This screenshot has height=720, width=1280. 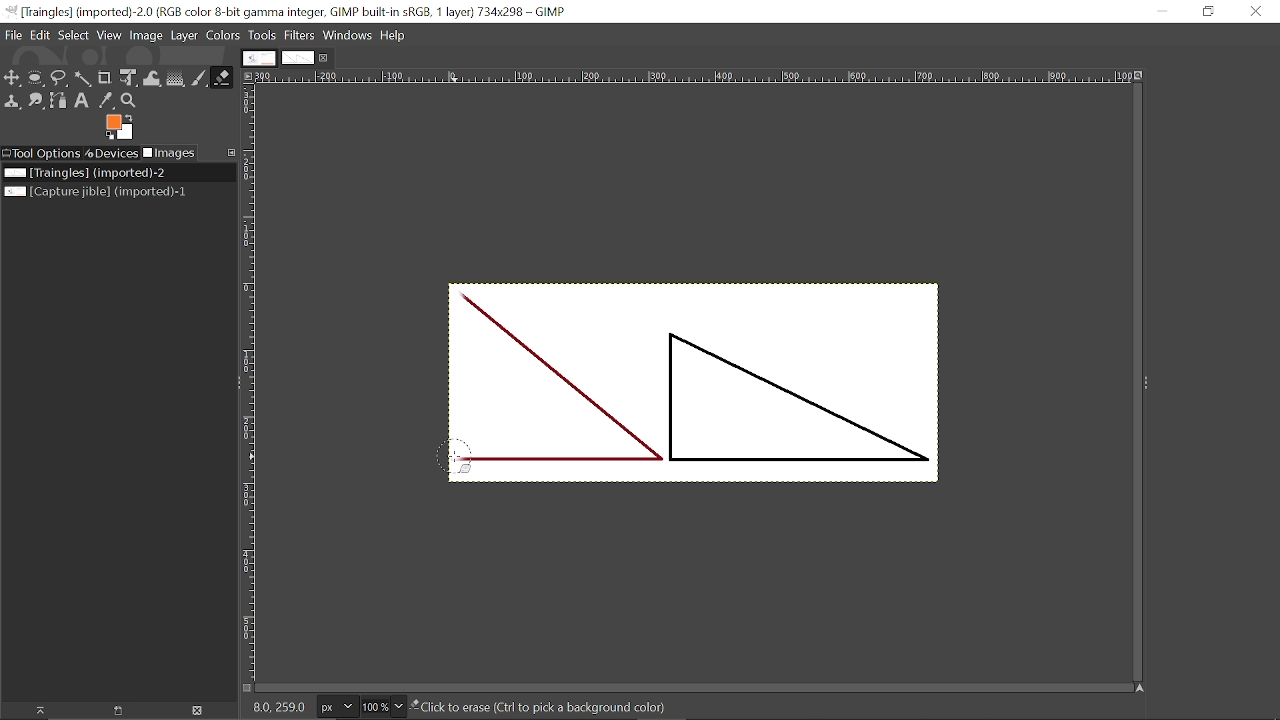 I want to click on View, so click(x=108, y=35).